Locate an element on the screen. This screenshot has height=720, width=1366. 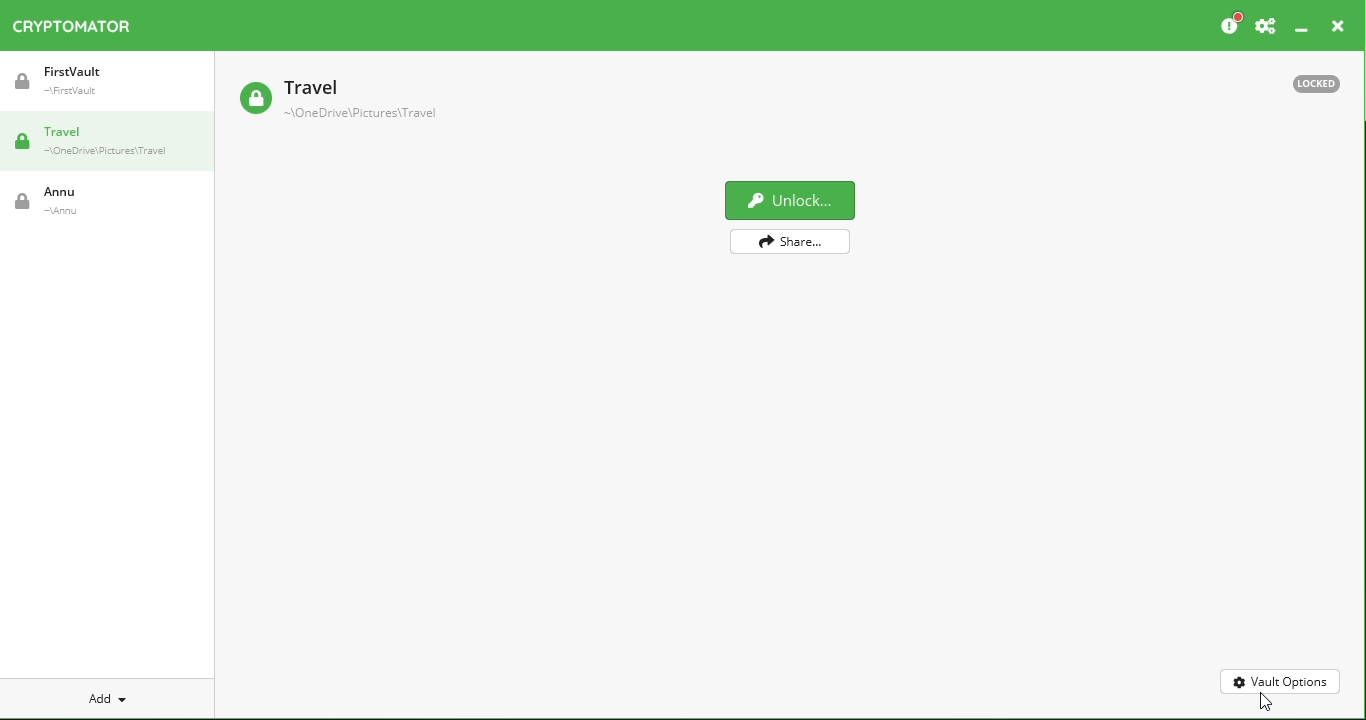
Cursor is located at coordinates (1260, 705).